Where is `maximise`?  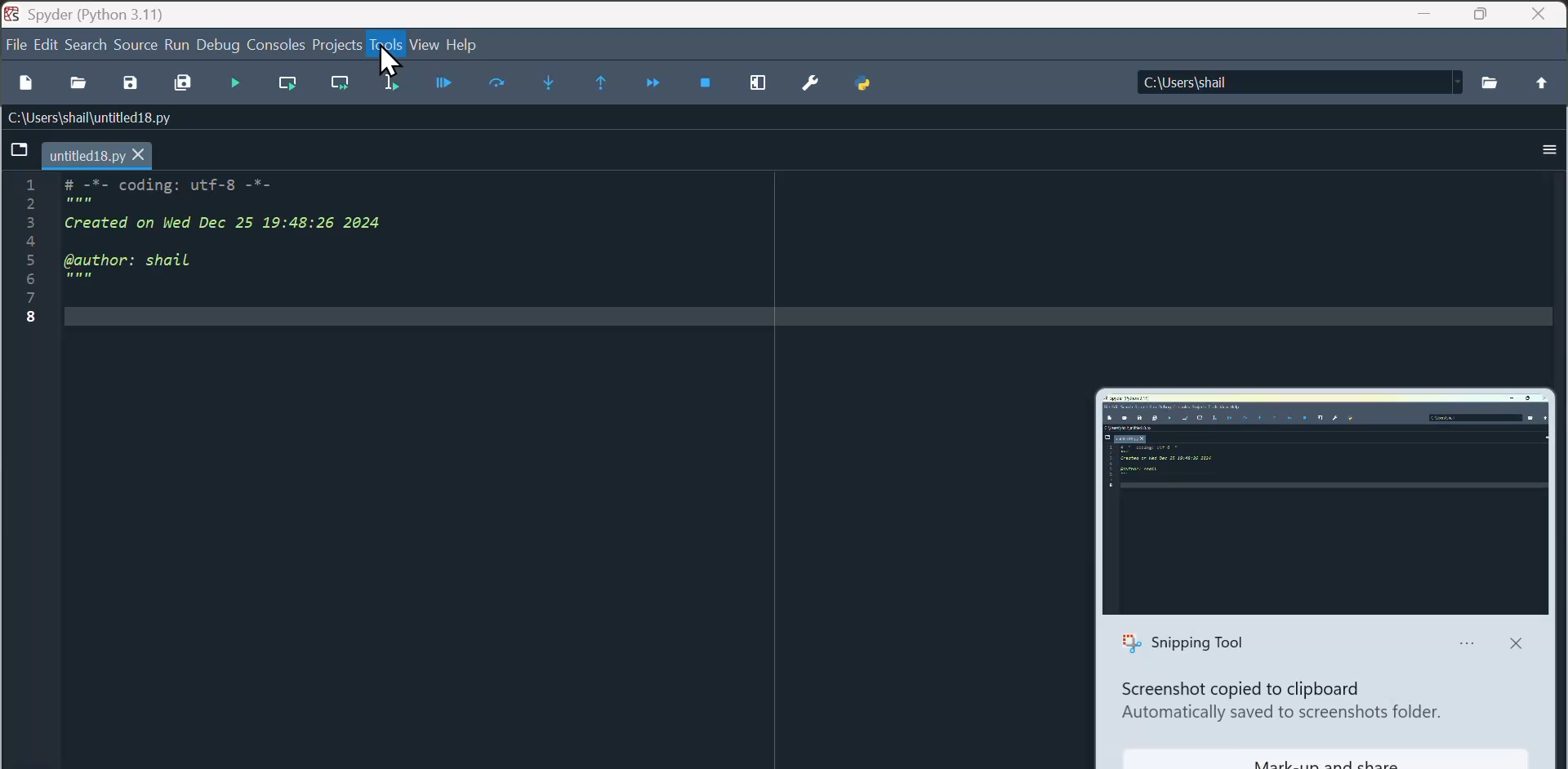 maximise is located at coordinates (1484, 14).